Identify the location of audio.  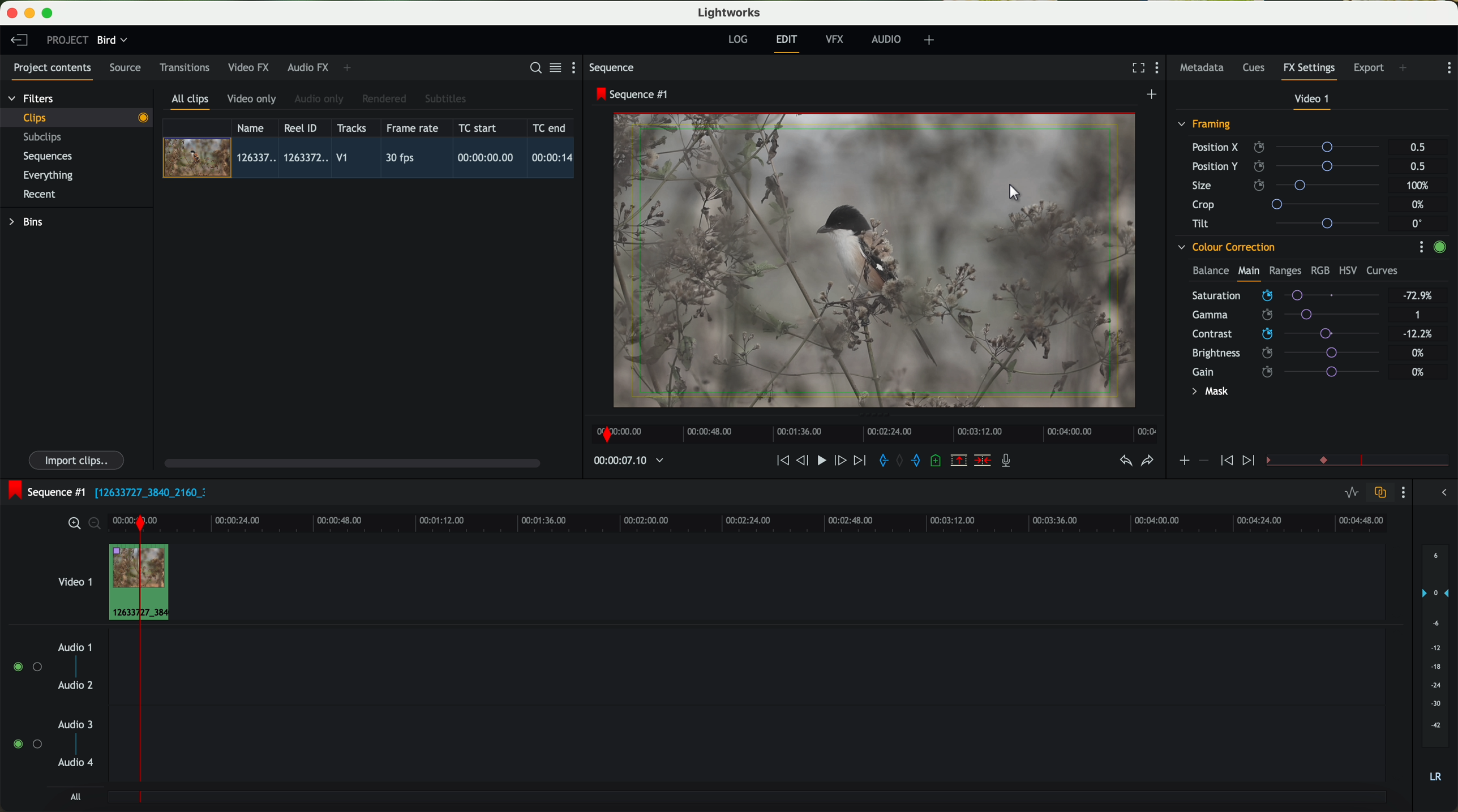
(886, 39).